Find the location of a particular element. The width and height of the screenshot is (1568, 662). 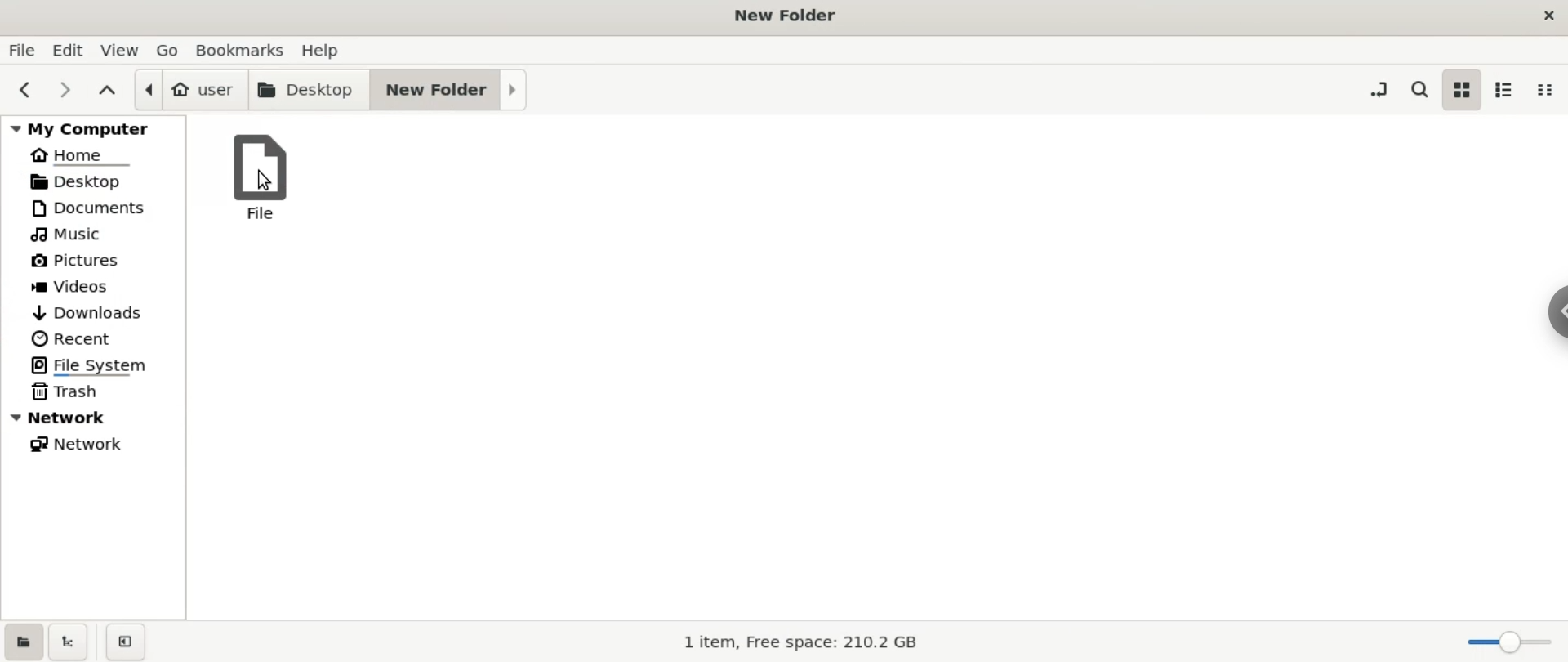

shortcut is located at coordinates (1556, 312).